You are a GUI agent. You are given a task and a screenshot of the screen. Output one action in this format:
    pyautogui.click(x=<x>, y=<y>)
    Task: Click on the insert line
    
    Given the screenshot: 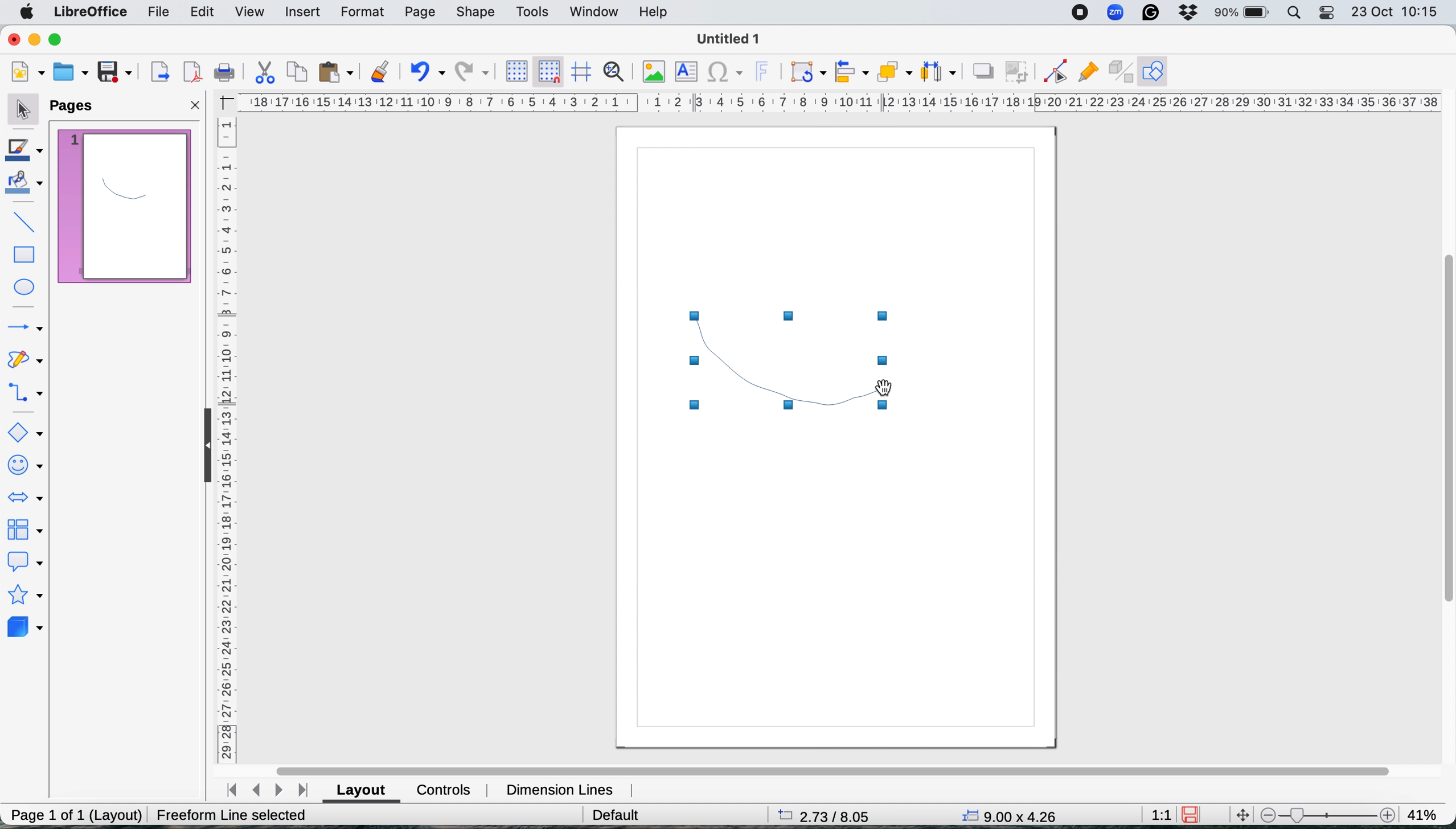 What is the action you would take?
    pyautogui.click(x=25, y=221)
    